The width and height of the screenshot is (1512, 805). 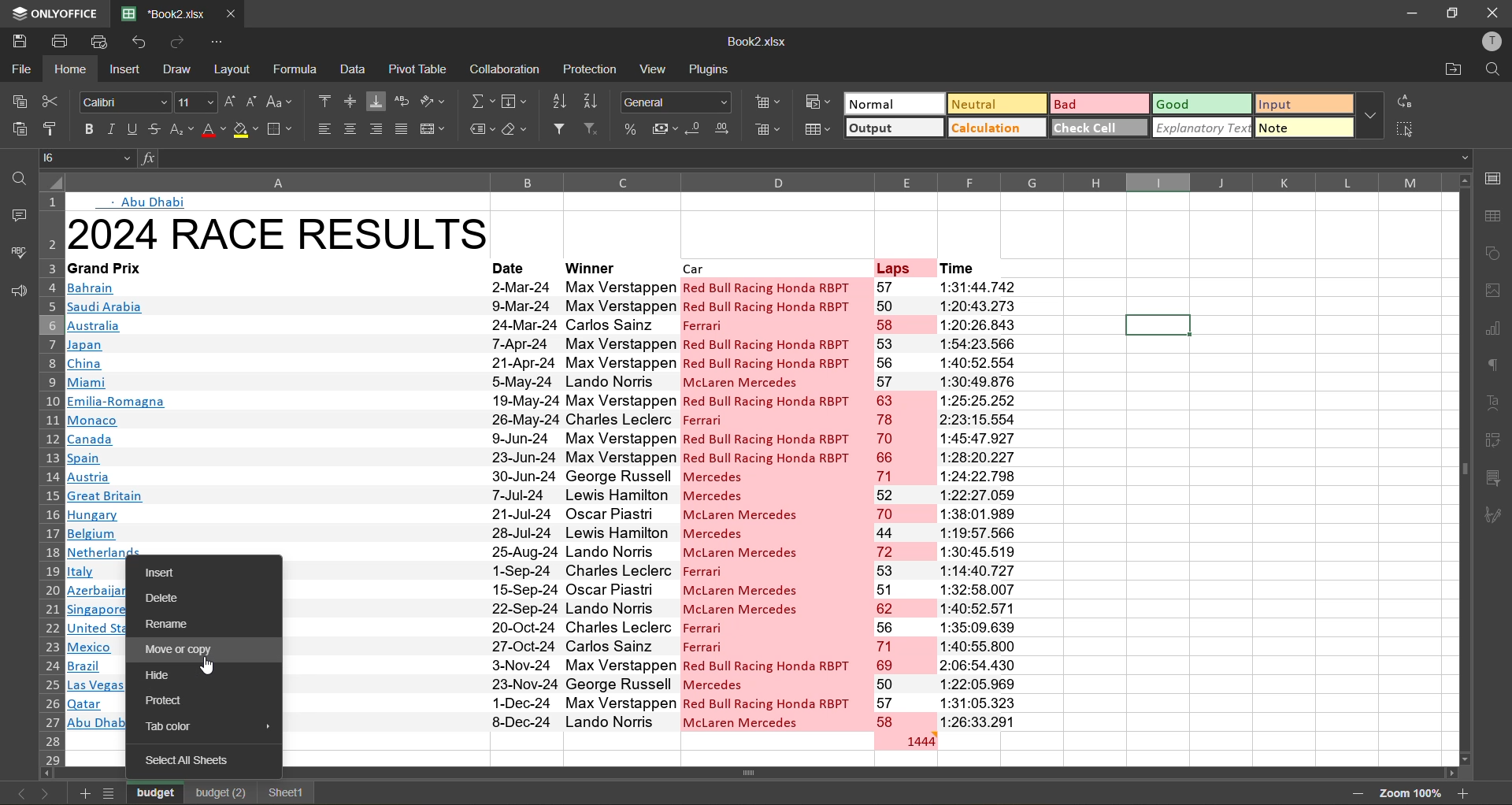 What do you see at coordinates (82, 793) in the screenshot?
I see `add sheet` at bounding box center [82, 793].